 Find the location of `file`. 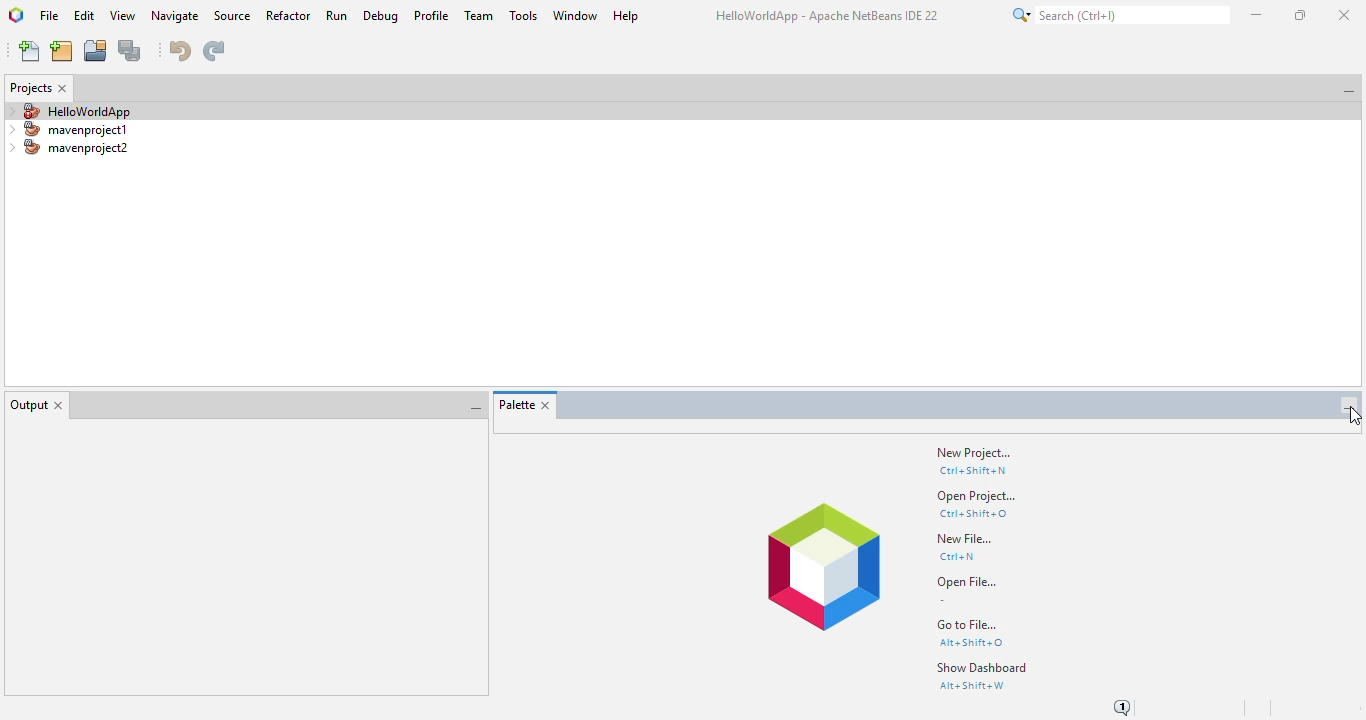

file is located at coordinates (50, 16).